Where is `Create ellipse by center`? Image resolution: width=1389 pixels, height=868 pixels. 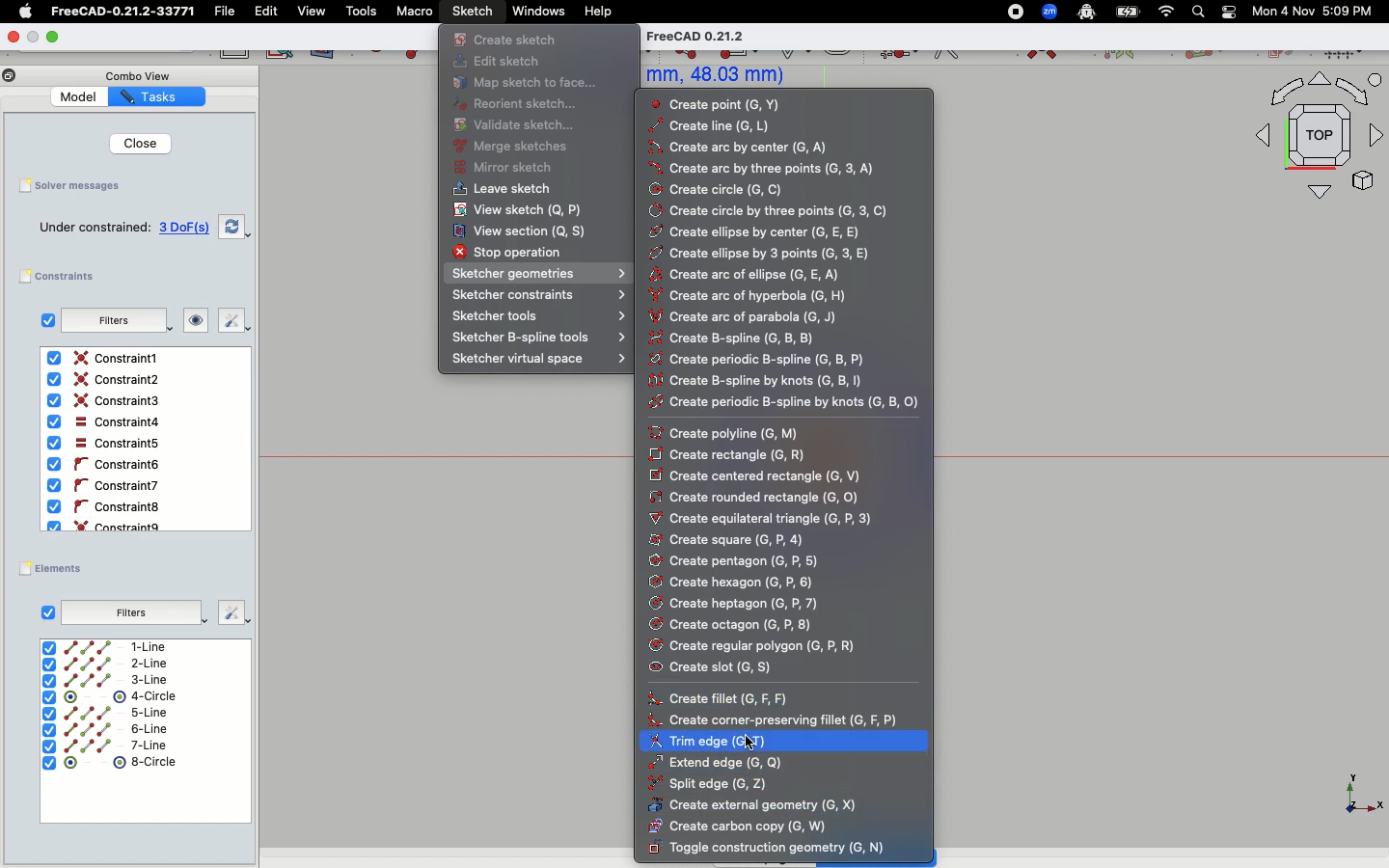 Create ellipse by center is located at coordinates (757, 234).